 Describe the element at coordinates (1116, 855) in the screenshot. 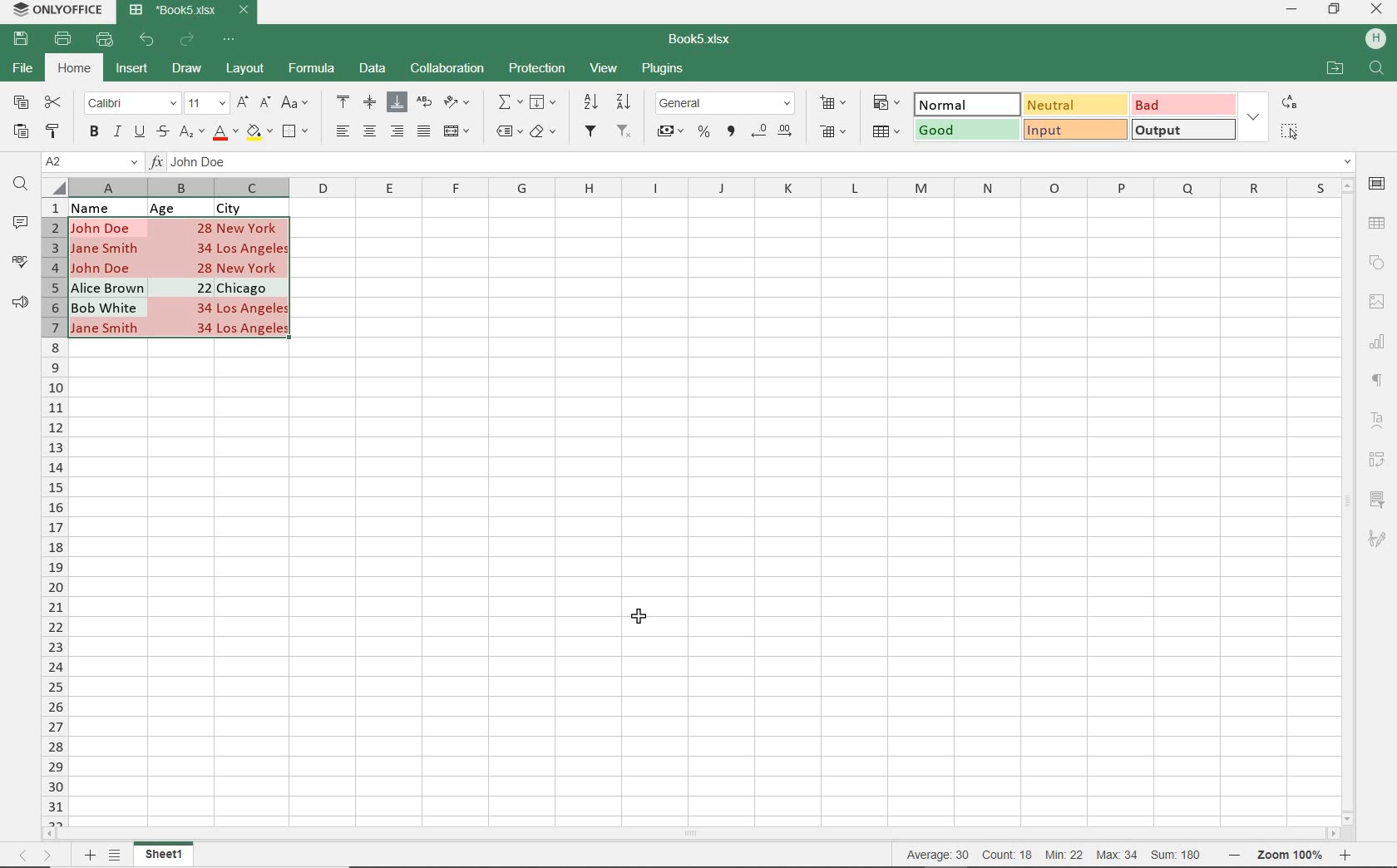

I see `max` at that location.